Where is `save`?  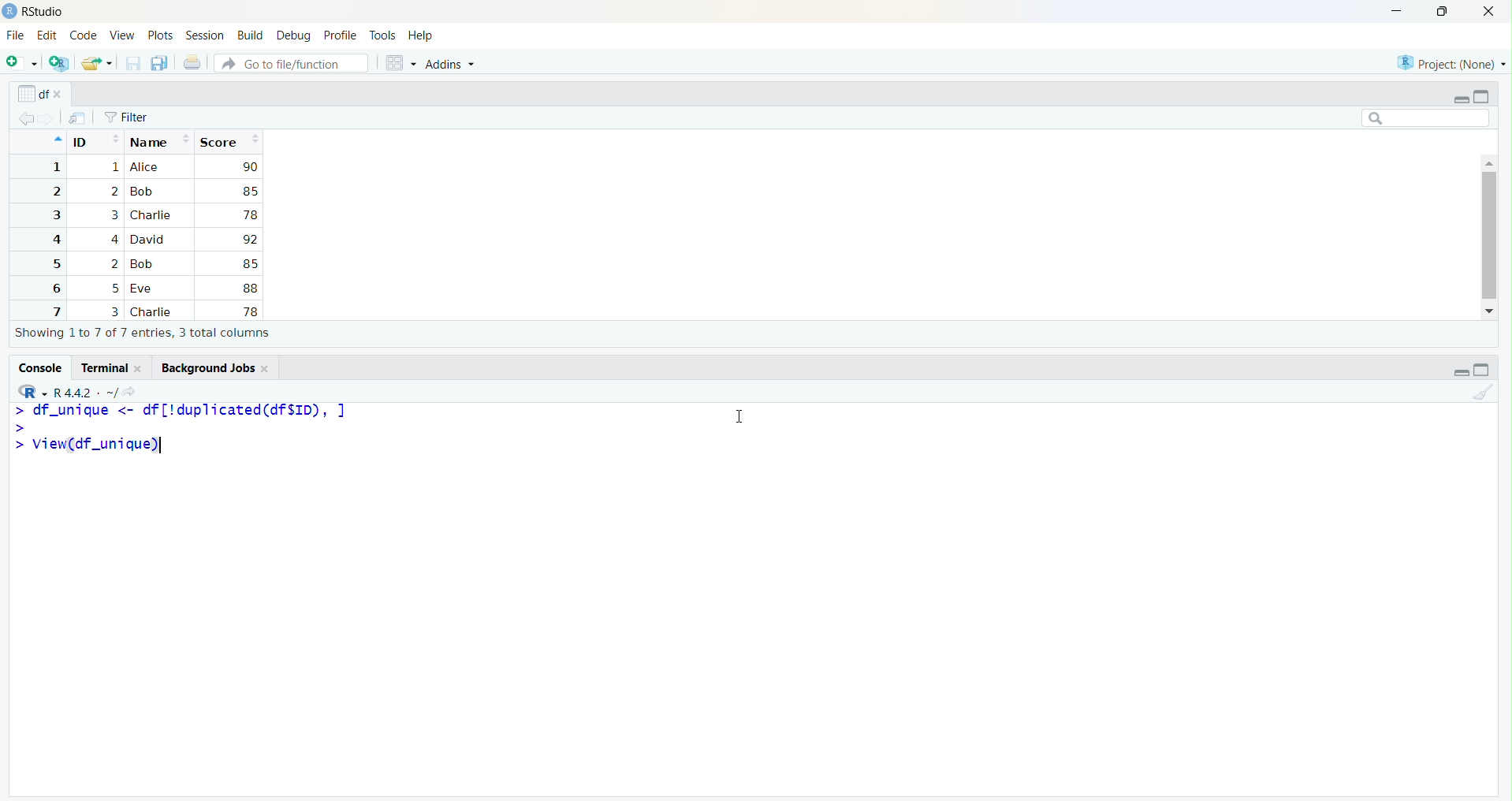 save is located at coordinates (132, 64).